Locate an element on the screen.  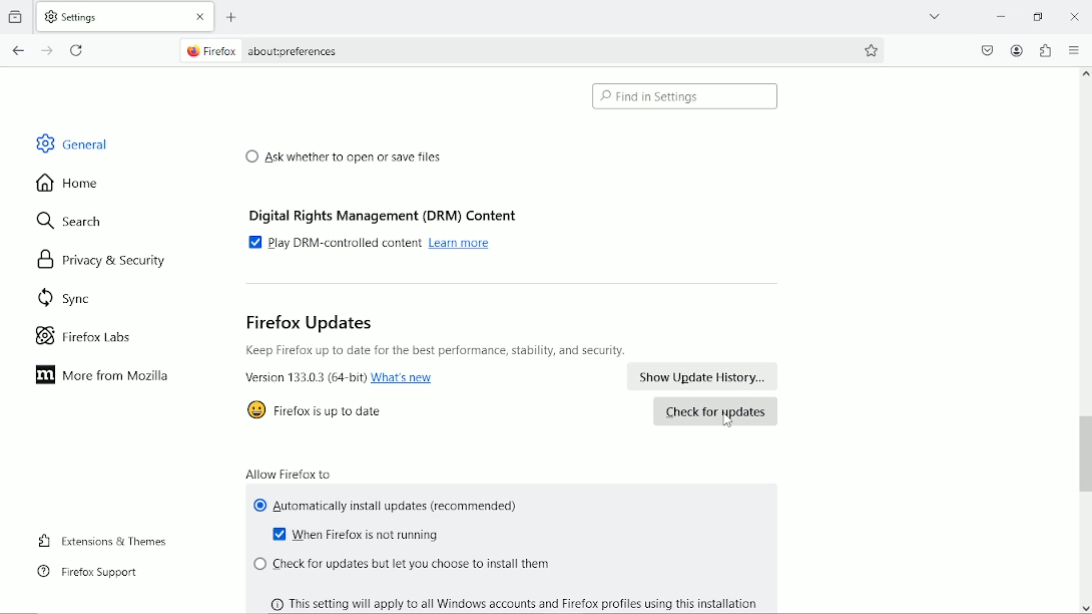
reload current page is located at coordinates (77, 49).